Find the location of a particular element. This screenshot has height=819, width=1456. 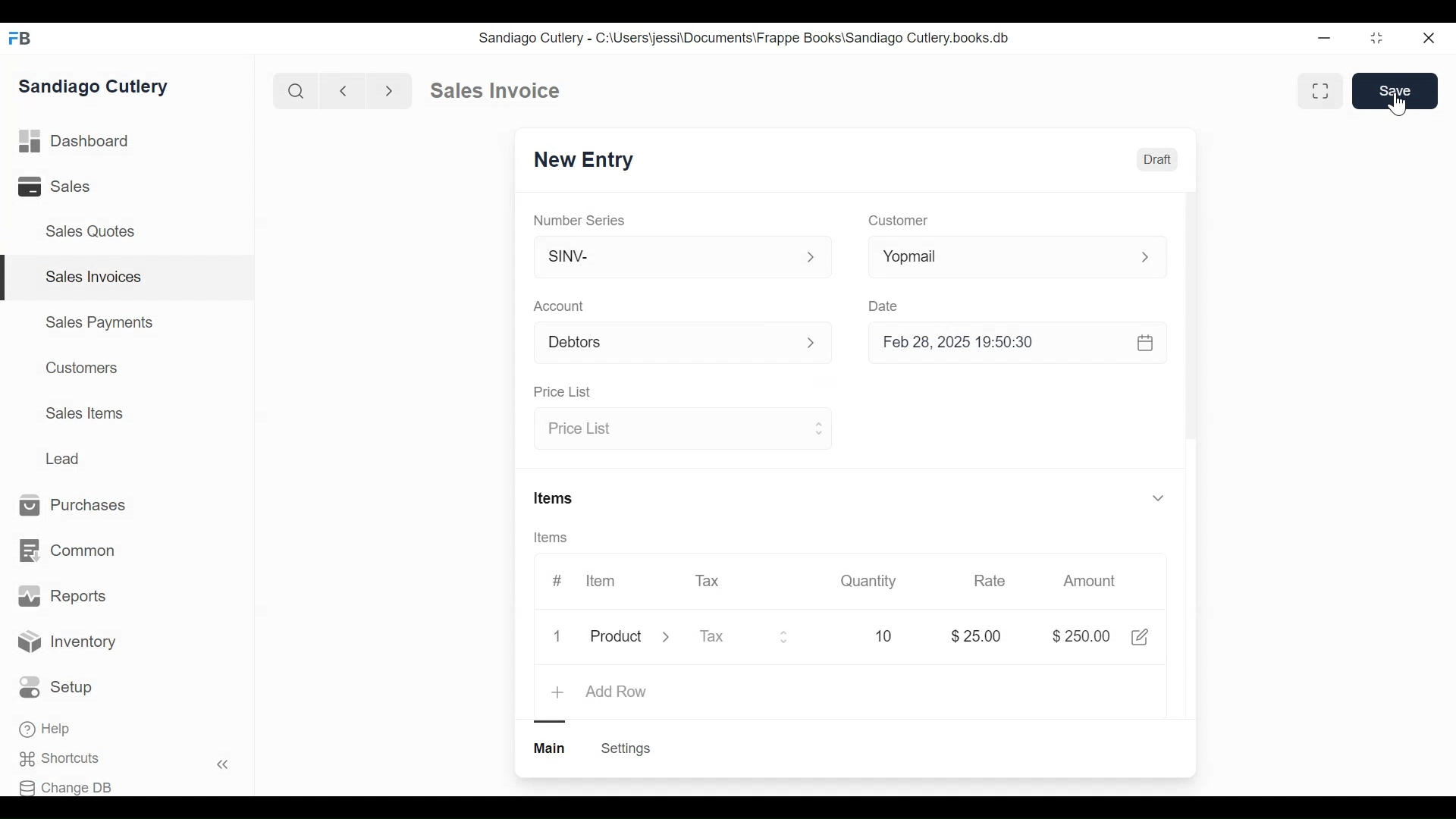

forward is located at coordinates (390, 89).